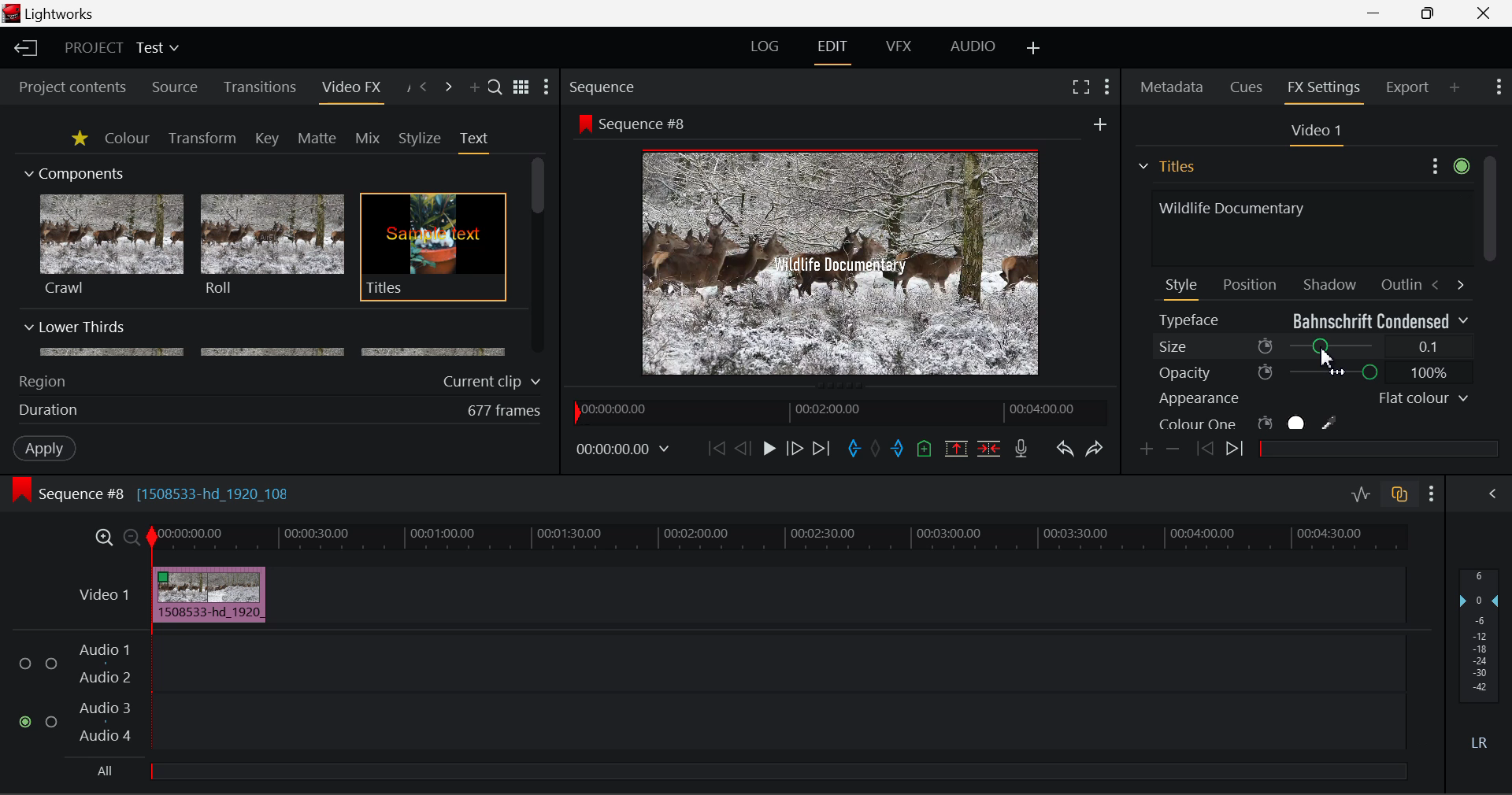 Image resolution: width=1512 pixels, height=795 pixels. Describe the element at coordinates (167, 494) in the screenshot. I see `Sequence #8 [1508533-hd_1920_108` at that location.